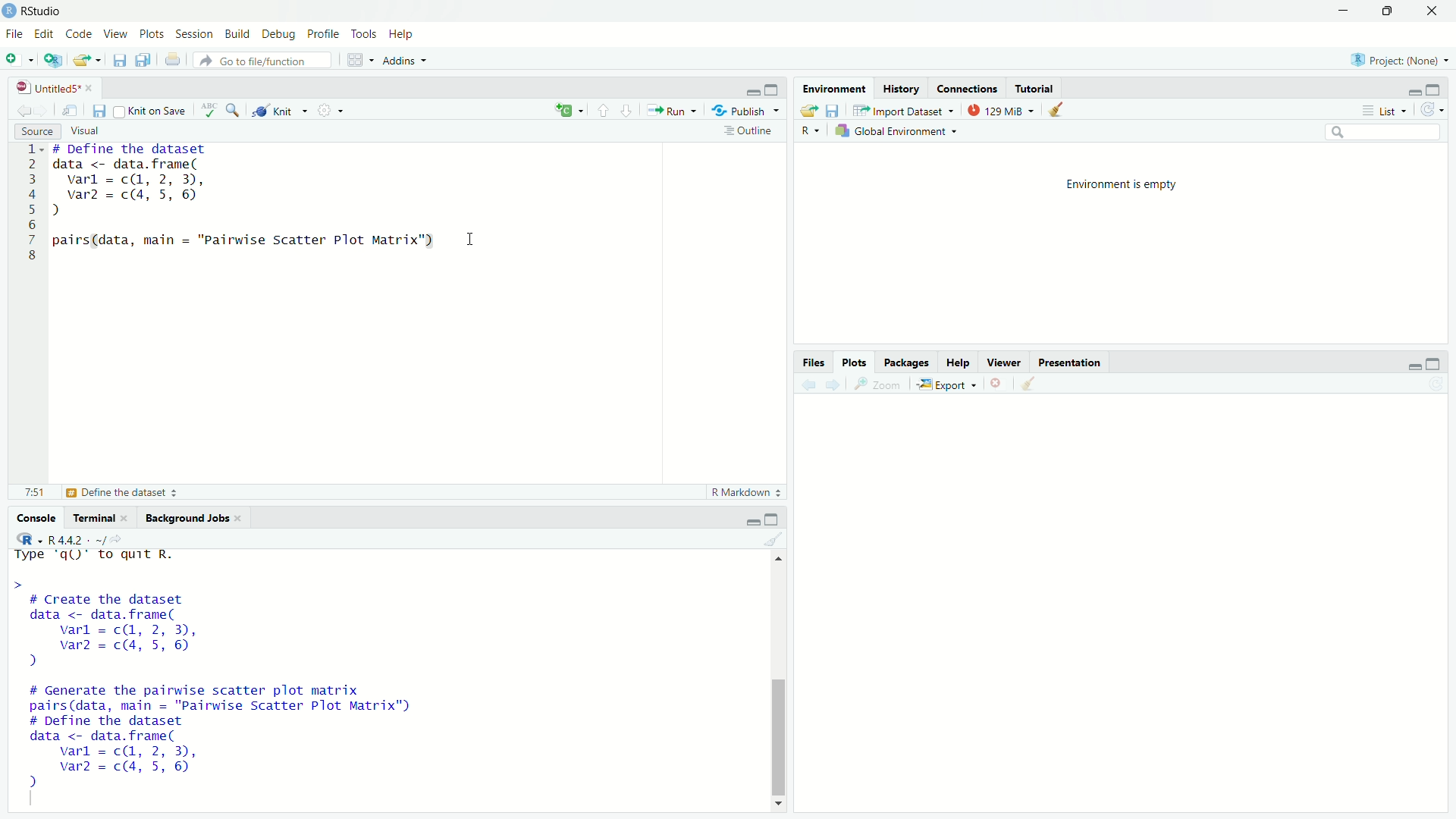 This screenshot has width=1456, height=819. Describe the element at coordinates (1002, 108) in the screenshot. I see `129kib used by R session (Source: Windows System)` at that location.